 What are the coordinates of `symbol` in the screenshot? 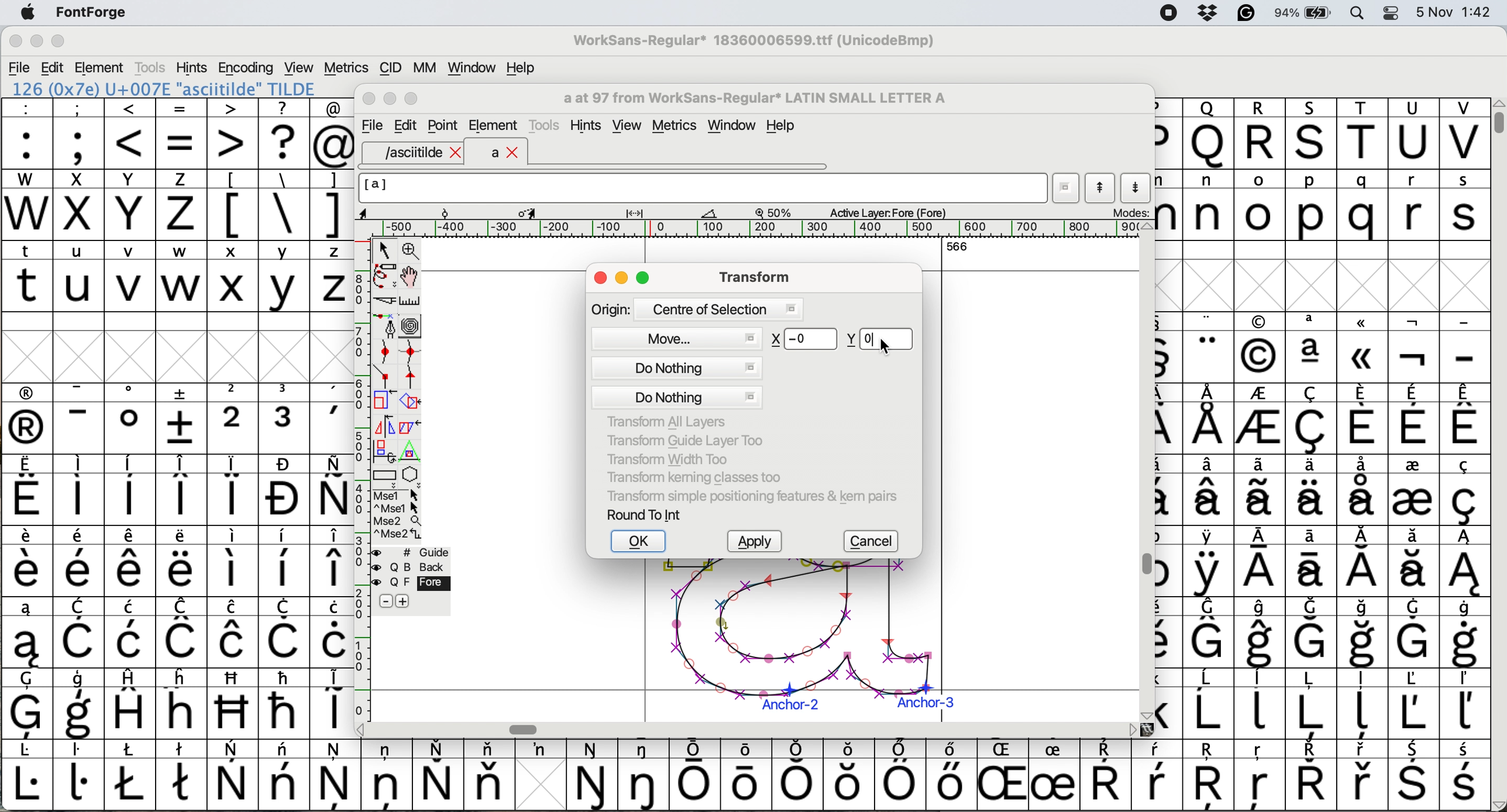 It's located at (1315, 489).